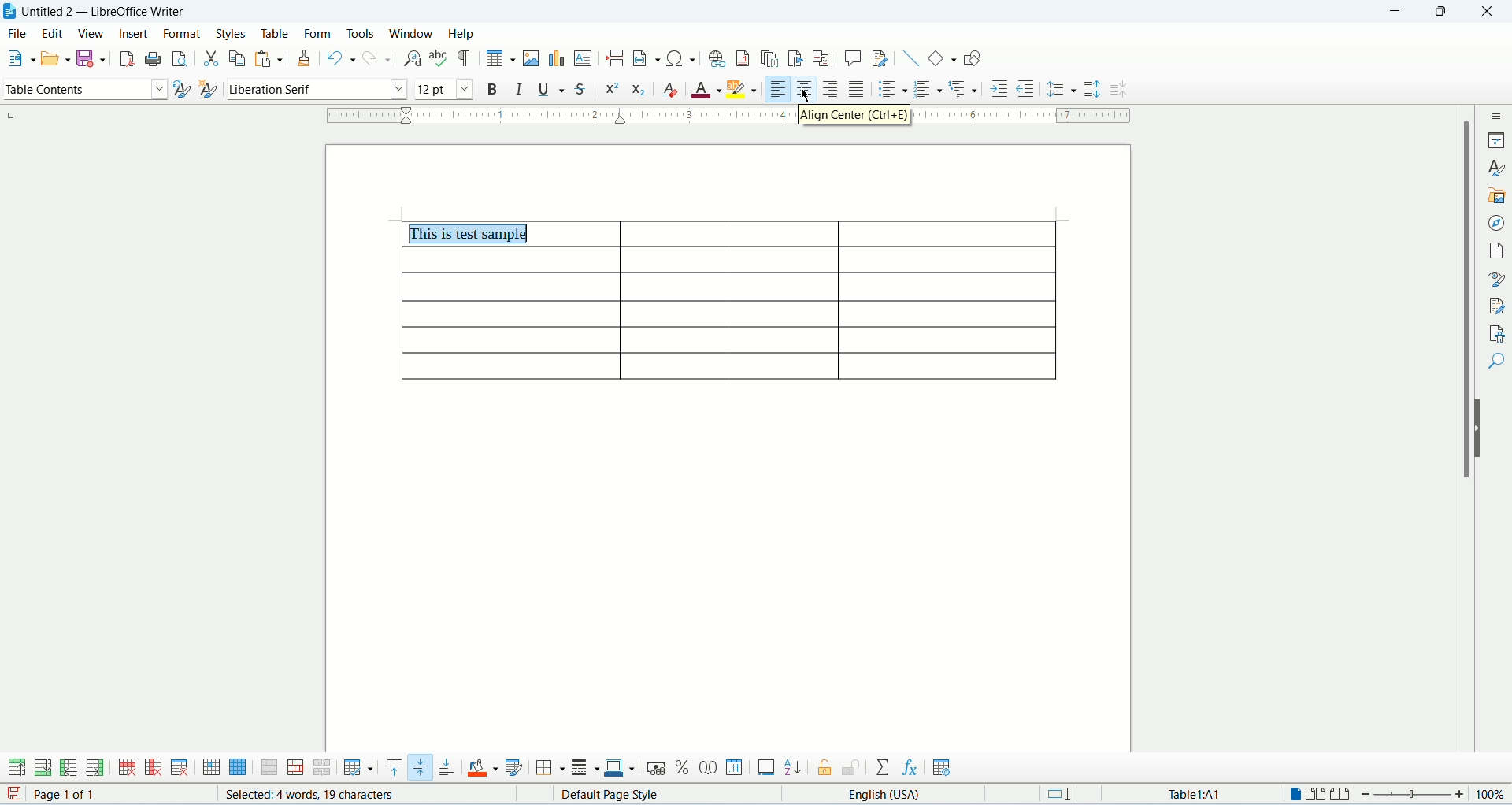  What do you see at coordinates (670, 89) in the screenshot?
I see `clear formatting` at bounding box center [670, 89].